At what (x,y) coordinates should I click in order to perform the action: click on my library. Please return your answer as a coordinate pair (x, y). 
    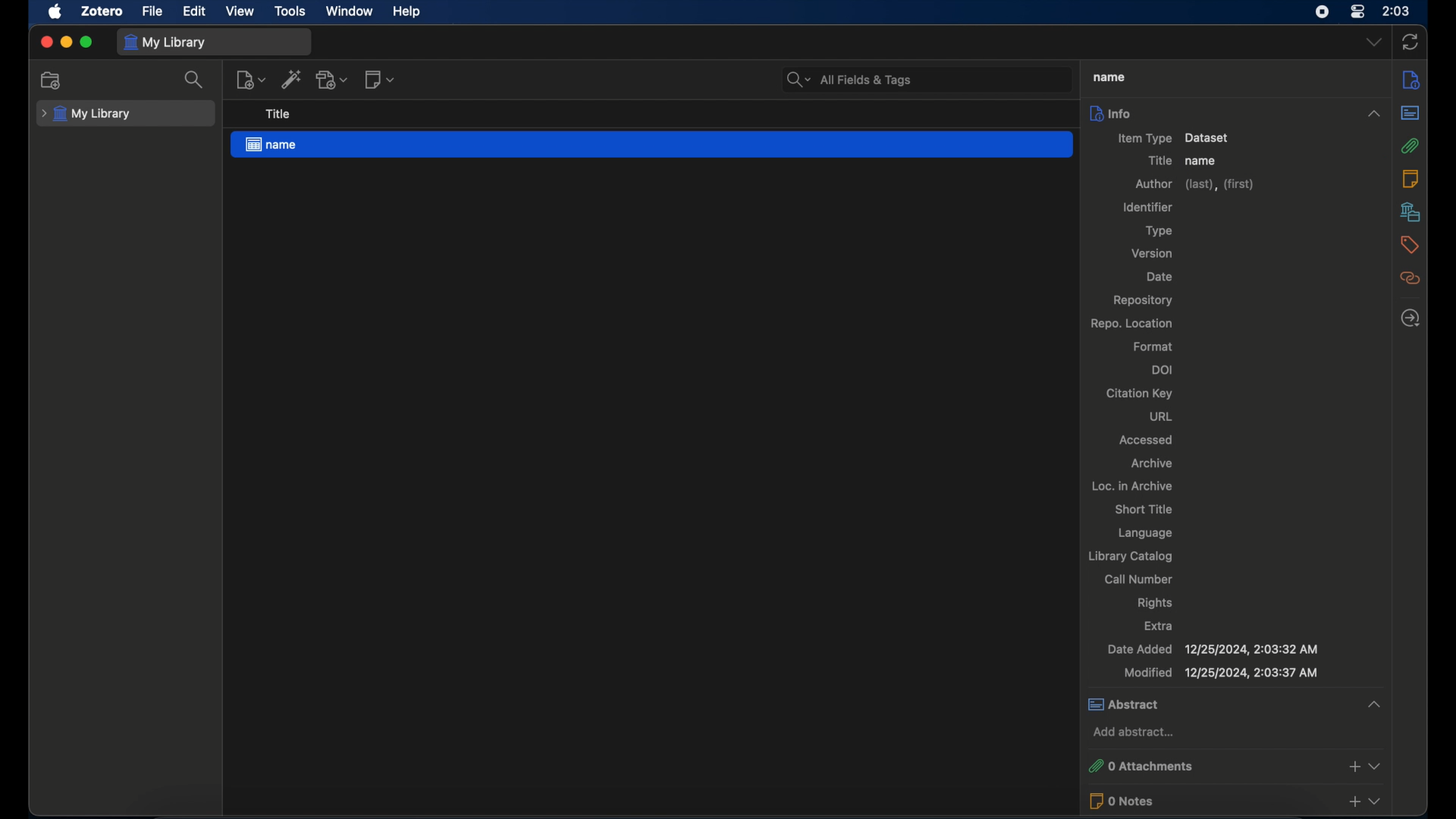
    Looking at the image, I should click on (168, 43).